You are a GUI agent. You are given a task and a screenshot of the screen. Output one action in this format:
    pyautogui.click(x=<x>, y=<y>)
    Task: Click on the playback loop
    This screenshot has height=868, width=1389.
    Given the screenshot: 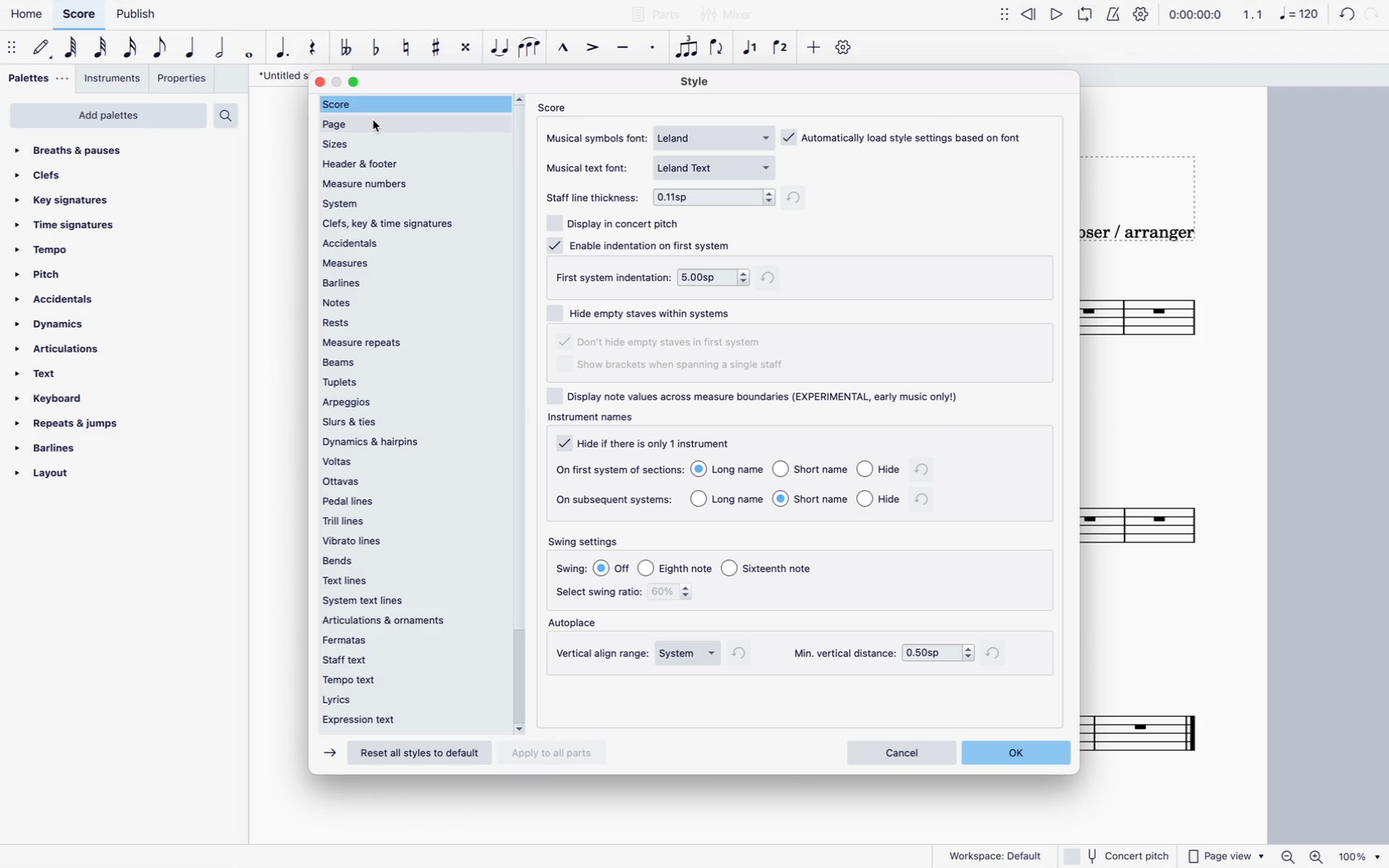 What is the action you would take?
    pyautogui.click(x=1088, y=17)
    